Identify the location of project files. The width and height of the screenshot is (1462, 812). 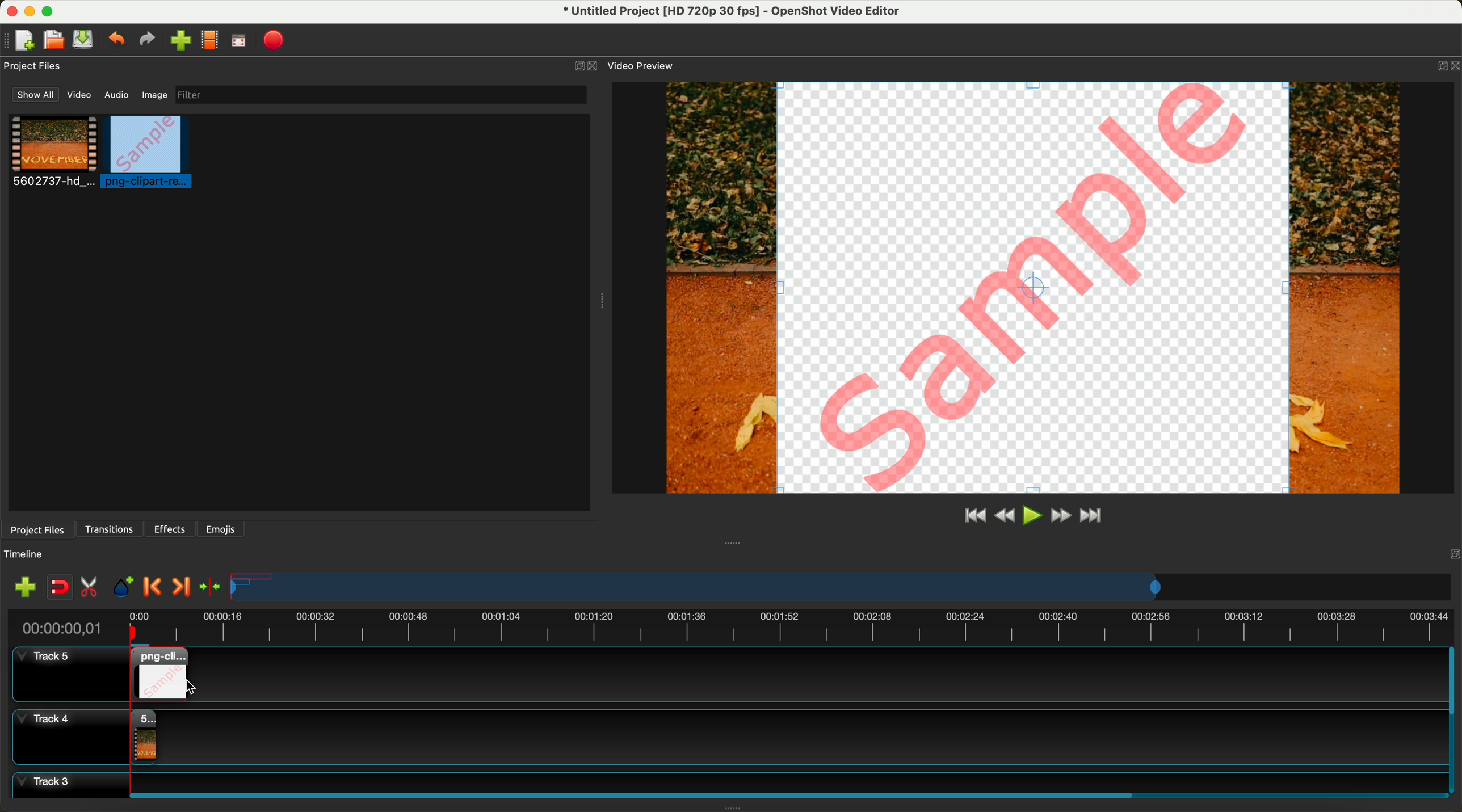
(34, 66).